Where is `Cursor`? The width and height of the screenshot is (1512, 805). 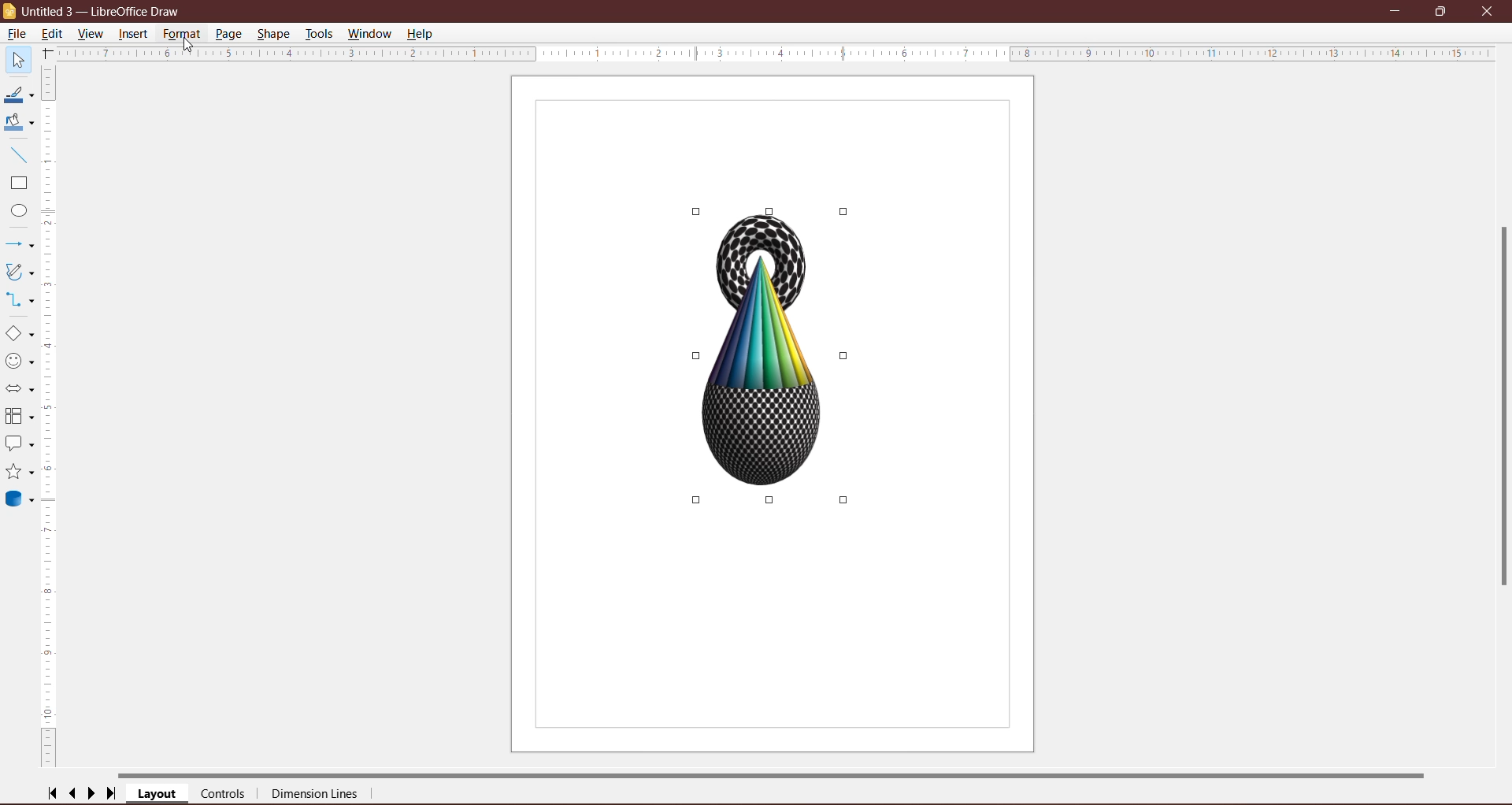 Cursor is located at coordinates (188, 50).